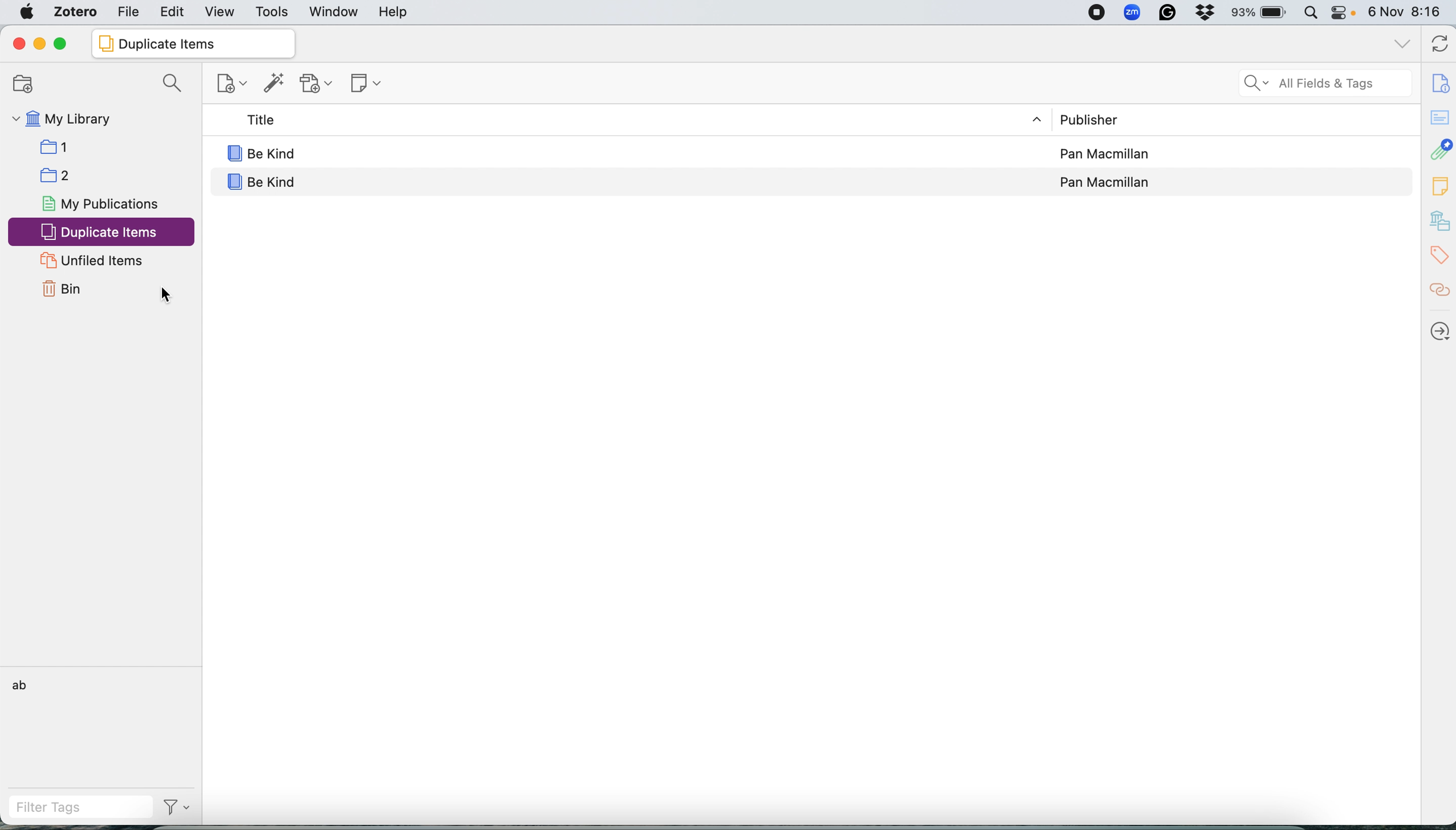 The image size is (1456, 830). I want to click on refresh, so click(1436, 44).